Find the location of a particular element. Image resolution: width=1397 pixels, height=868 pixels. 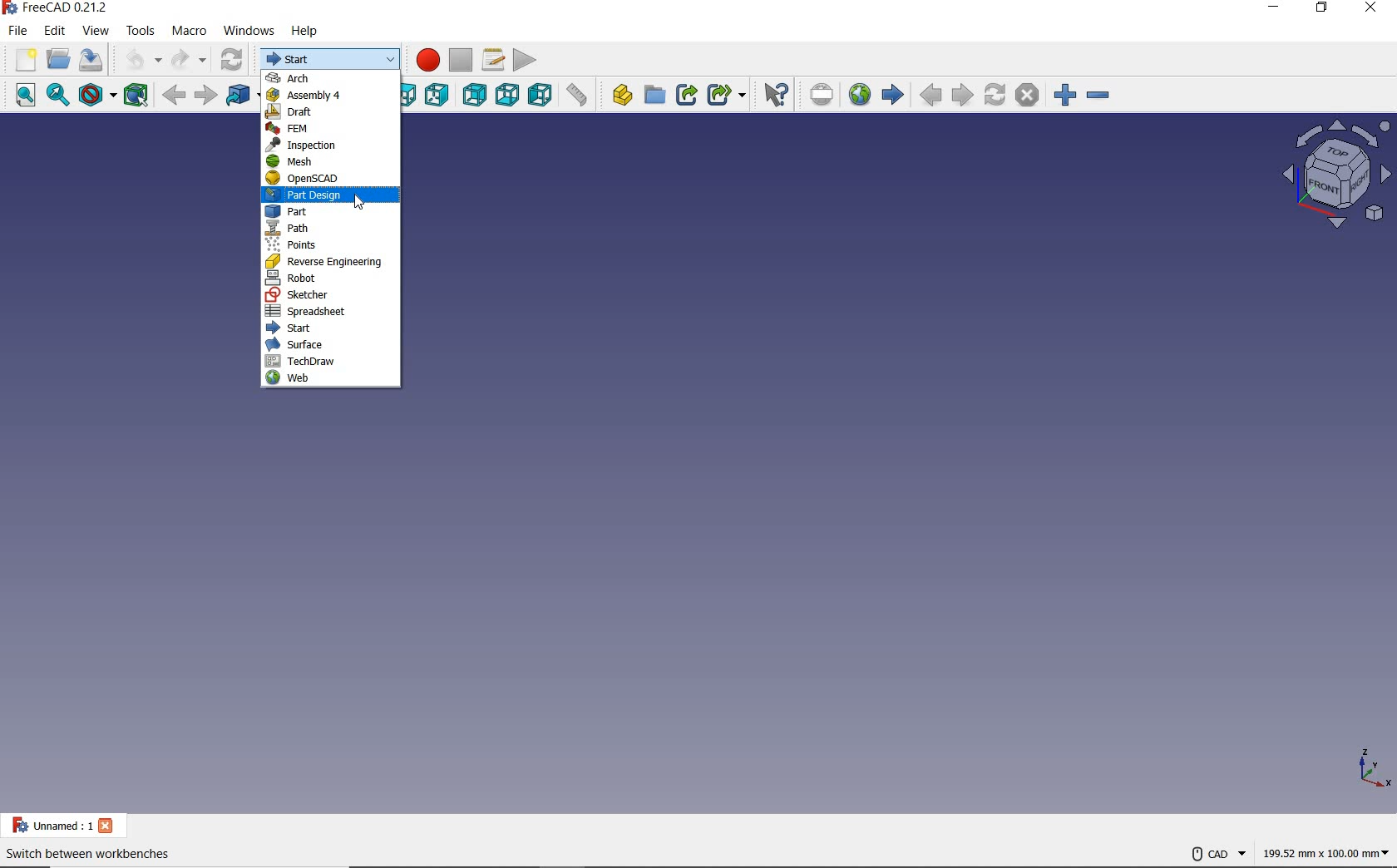

NEW is located at coordinates (22, 61).